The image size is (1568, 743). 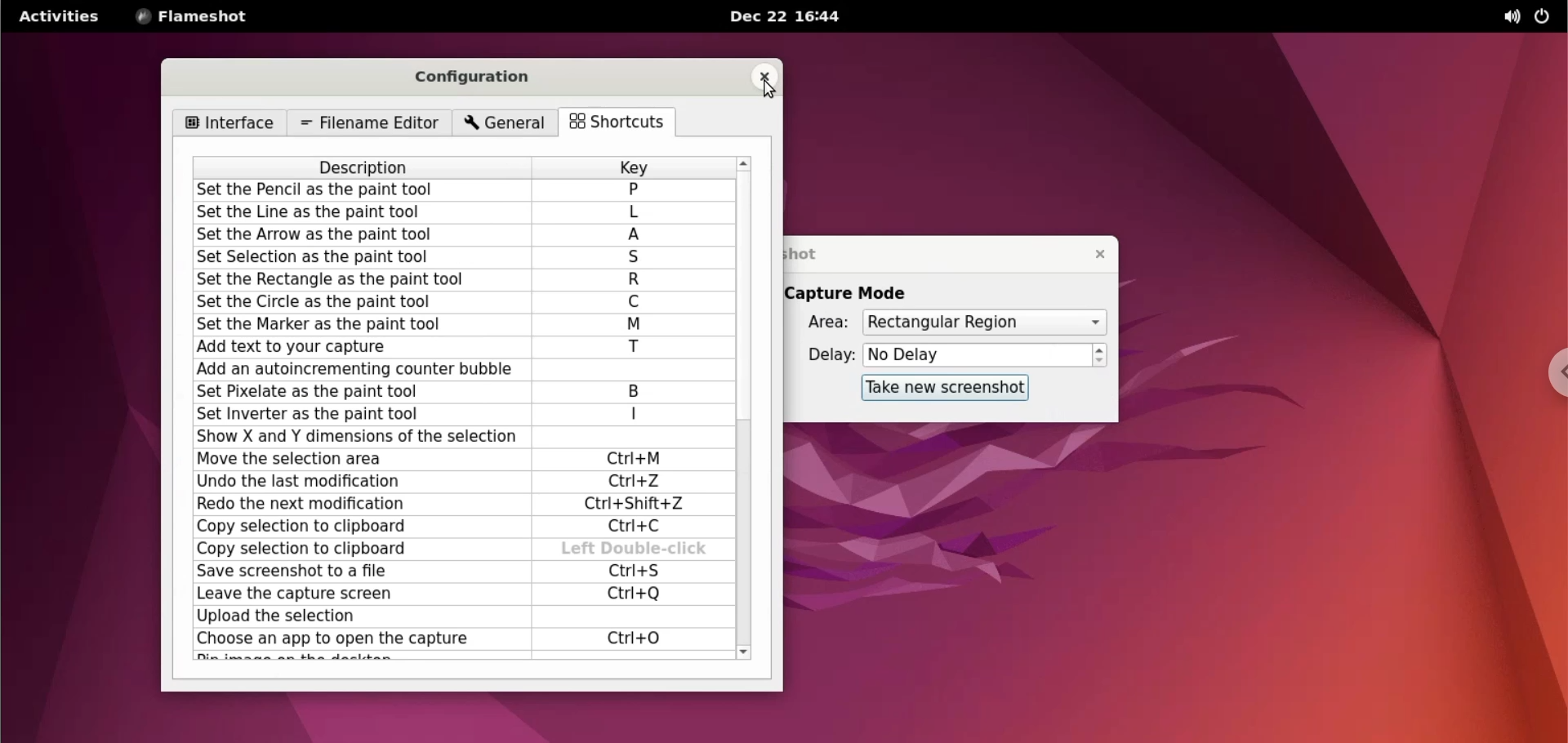 What do you see at coordinates (746, 406) in the screenshot?
I see `scrollbar` at bounding box center [746, 406].